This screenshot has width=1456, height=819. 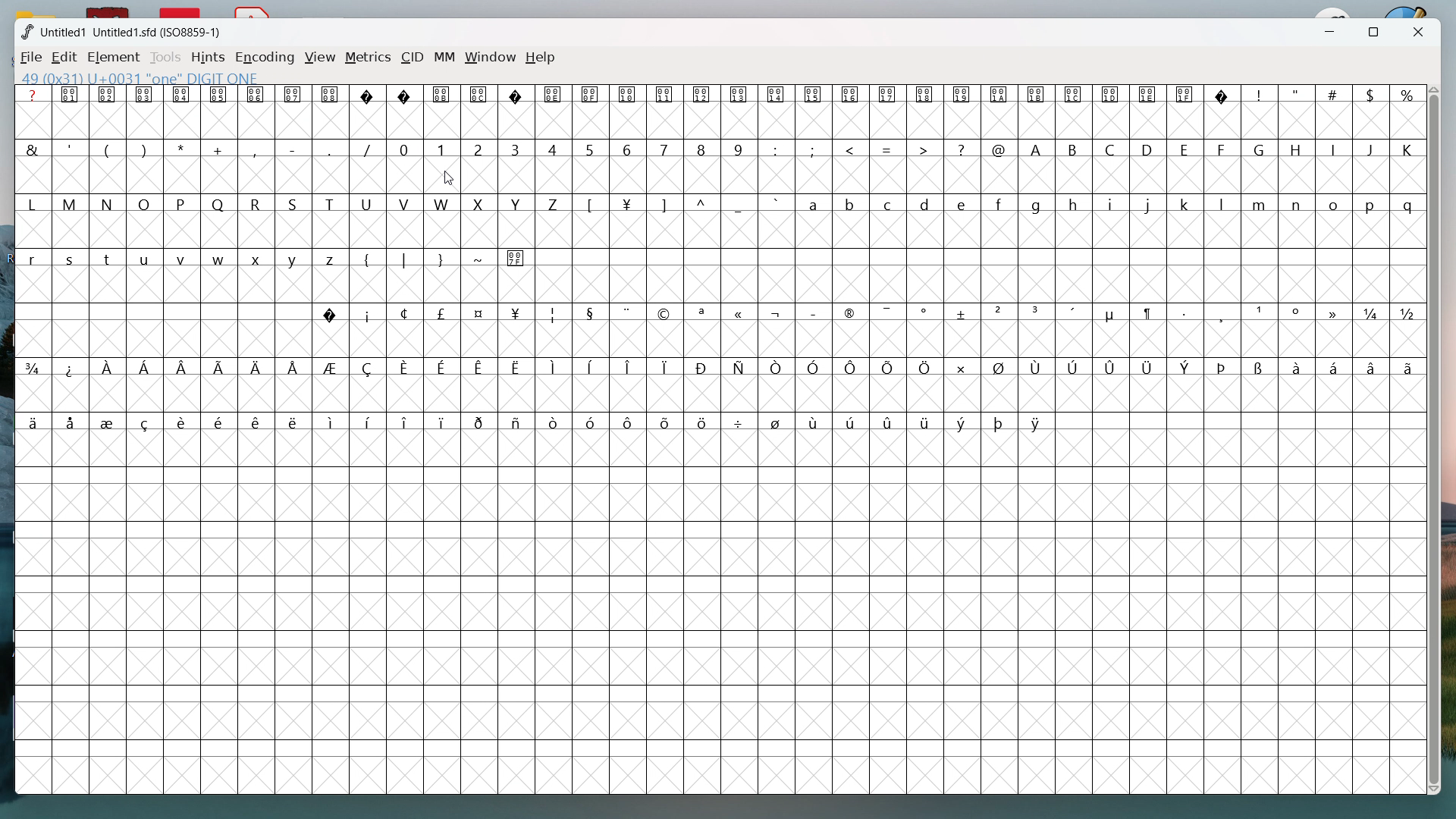 What do you see at coordinates (265, 58) in the screenshot?
I see `encoding` at bounding box center [265, 58].